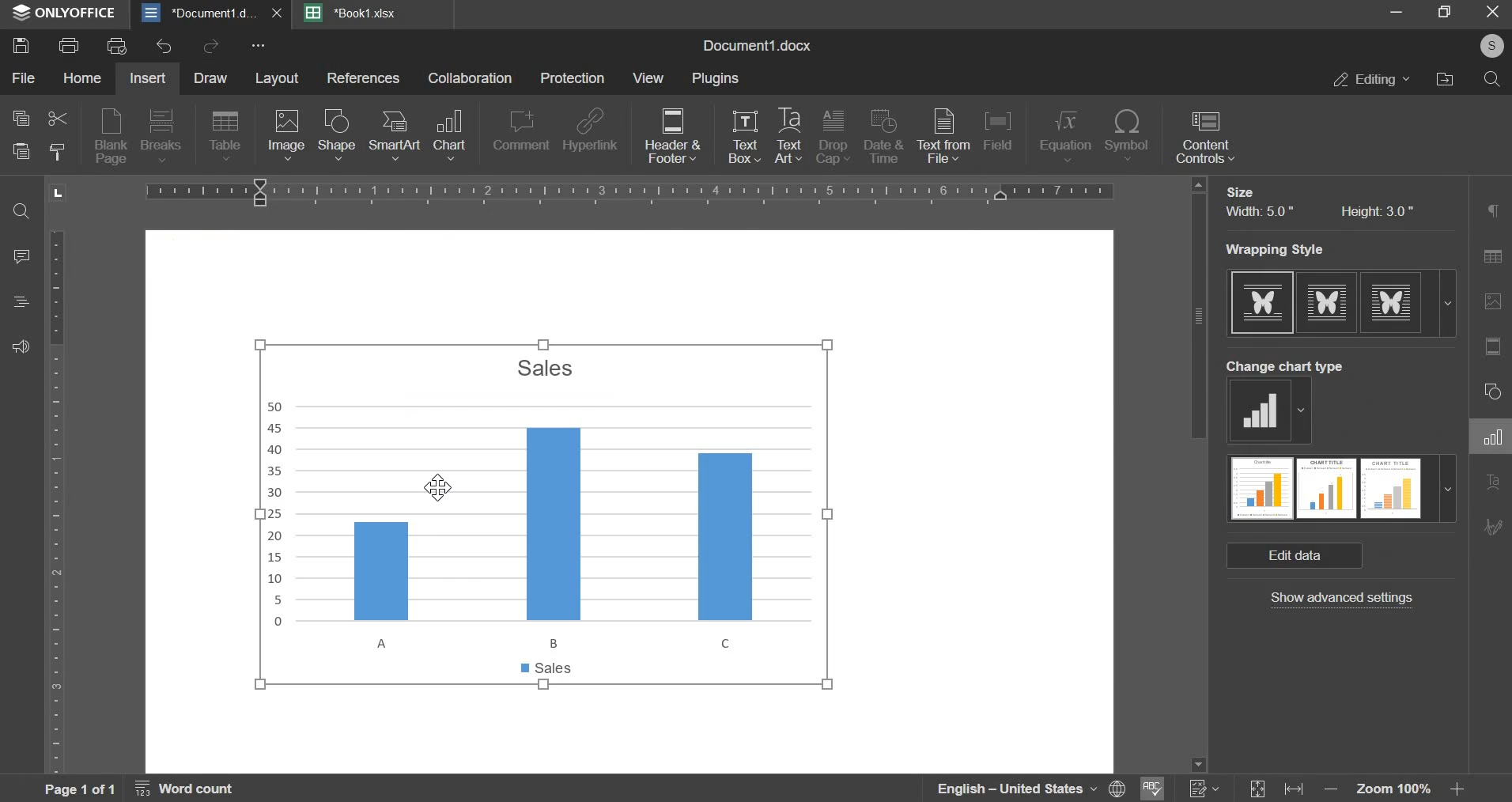 This screenshot has width=1512, height=802. Describe the element at coordinates (1491, 301) in the screenshot. I see `Shape tool` at that location.